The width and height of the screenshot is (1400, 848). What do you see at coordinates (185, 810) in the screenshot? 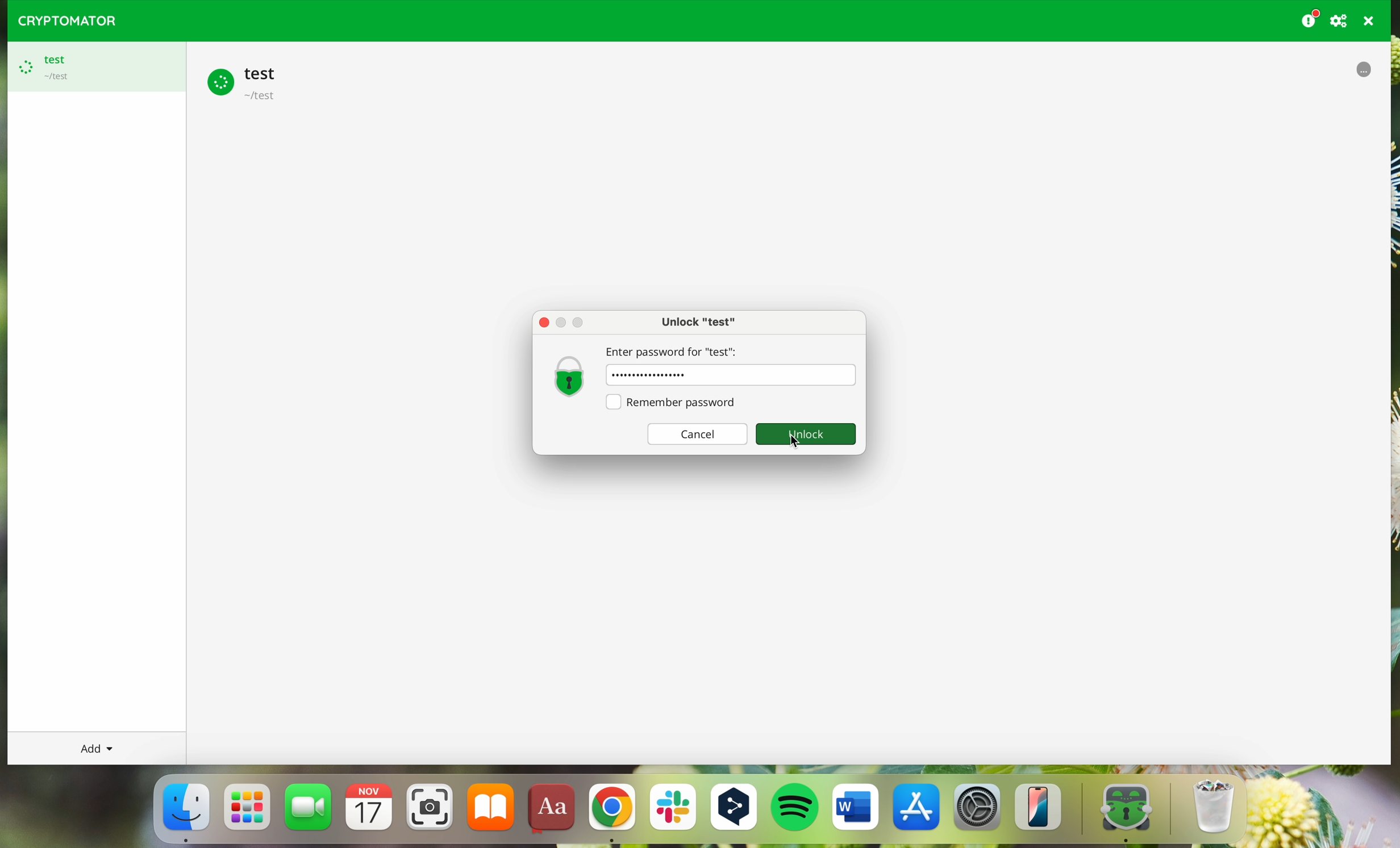
I see `Finder` at bounding box center [185, 810].